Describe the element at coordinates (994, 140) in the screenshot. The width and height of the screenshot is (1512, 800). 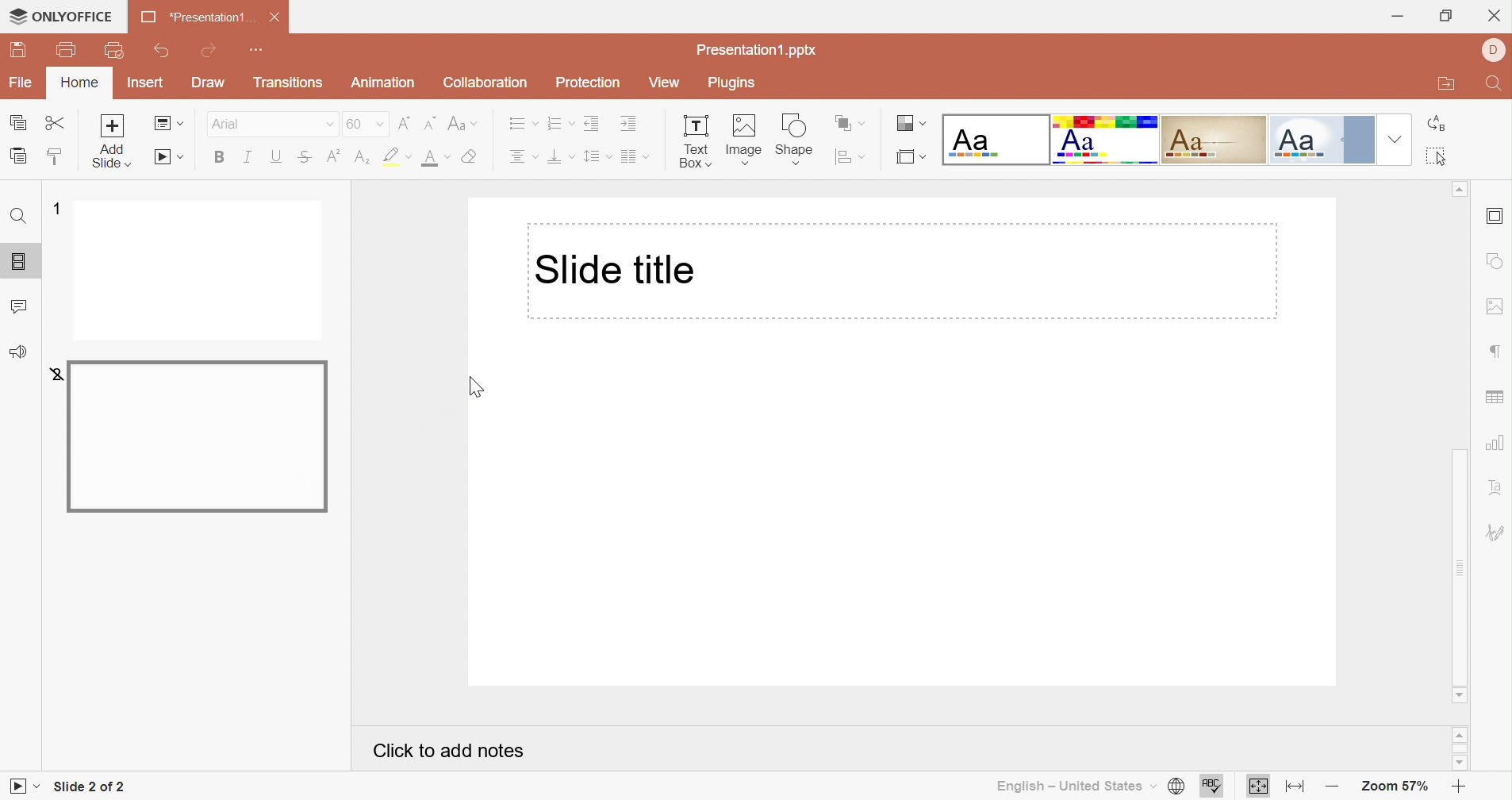
I see `Blank` at that location.